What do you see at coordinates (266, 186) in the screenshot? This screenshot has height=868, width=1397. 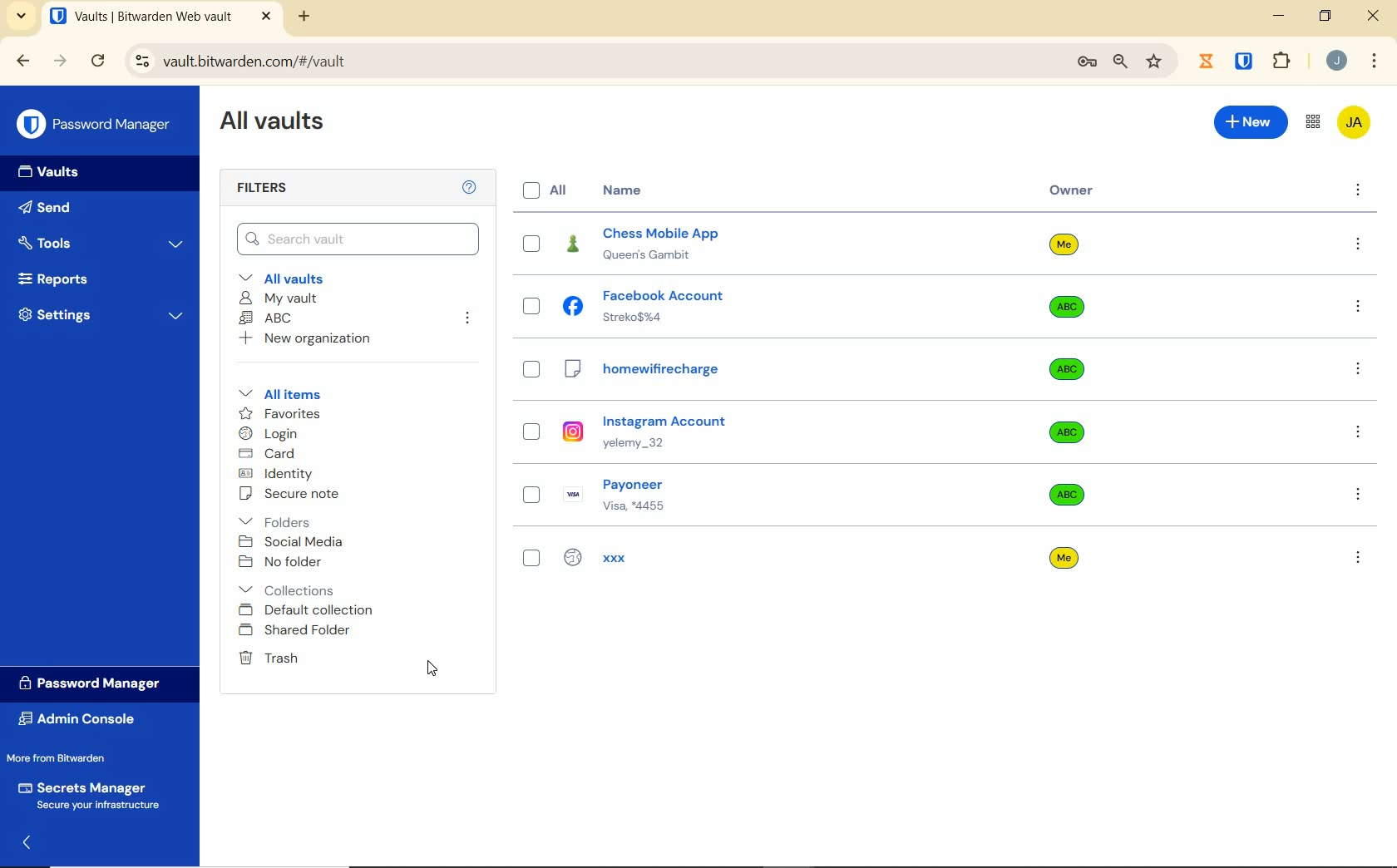 I see `Filters` at bounding box center [266, 186].